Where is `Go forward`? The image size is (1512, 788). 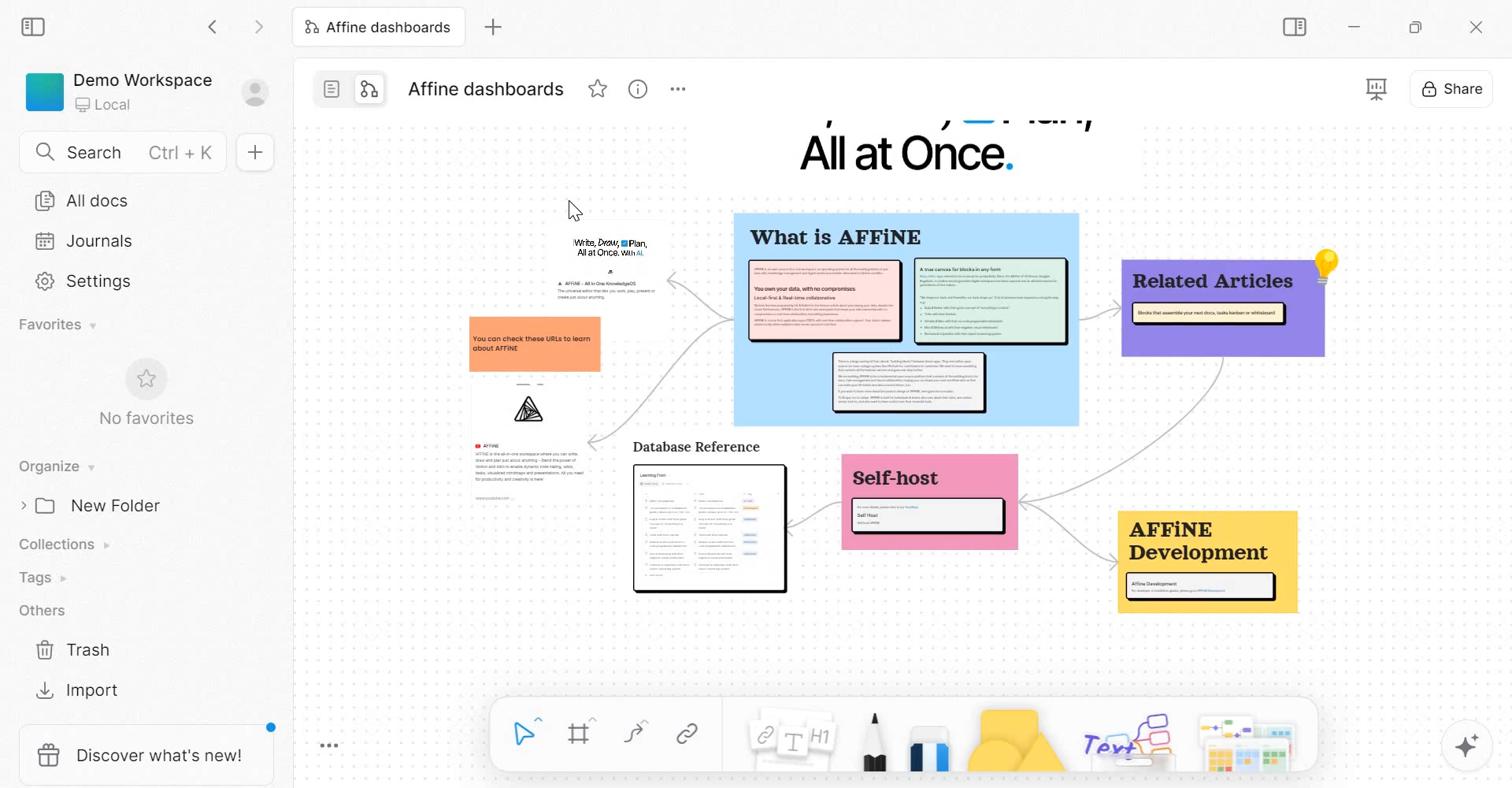
Go forward is located at coordinates (254, 31).